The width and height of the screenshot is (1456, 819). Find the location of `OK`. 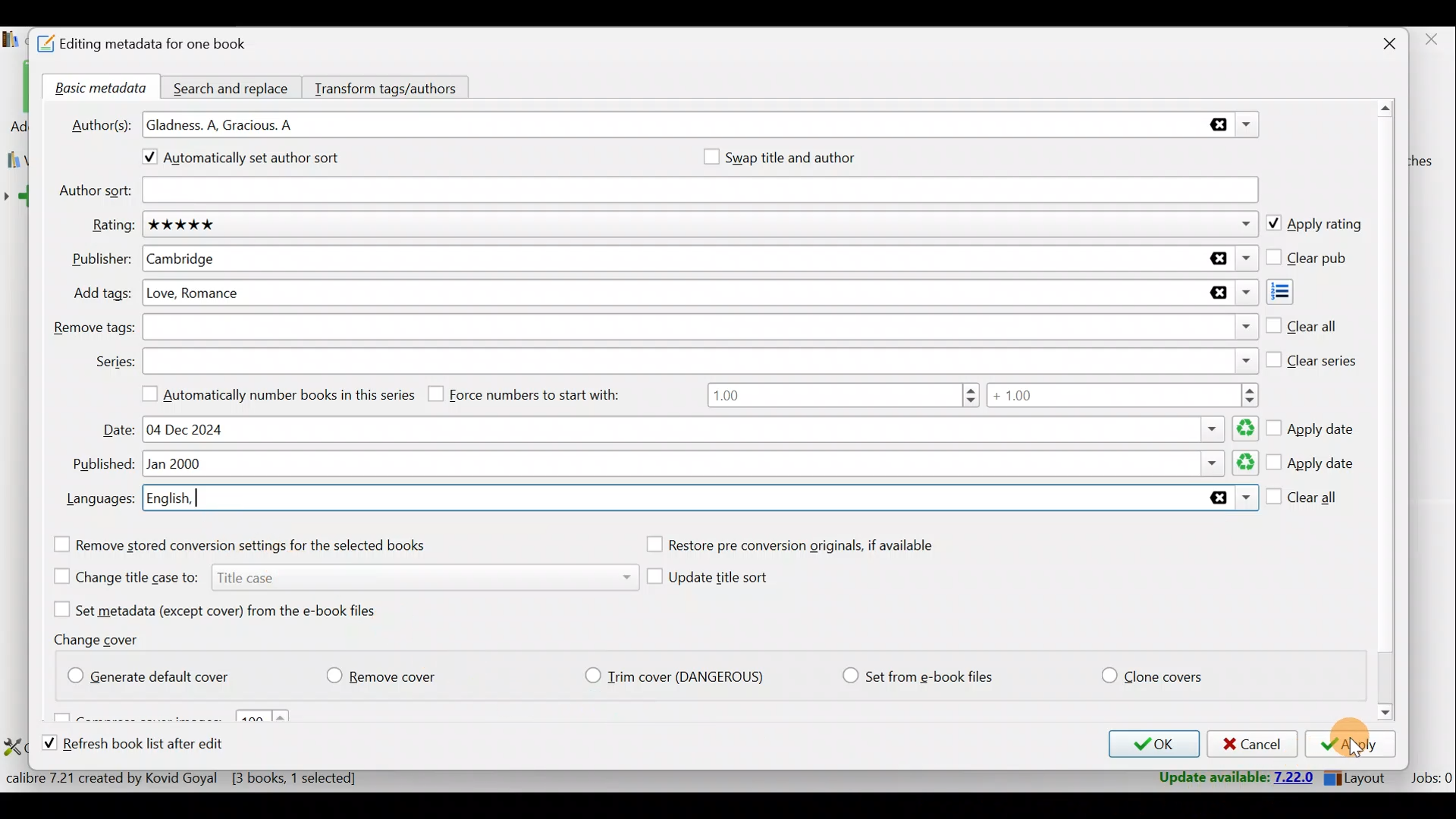

OK is located at coordinates (1150, 744).